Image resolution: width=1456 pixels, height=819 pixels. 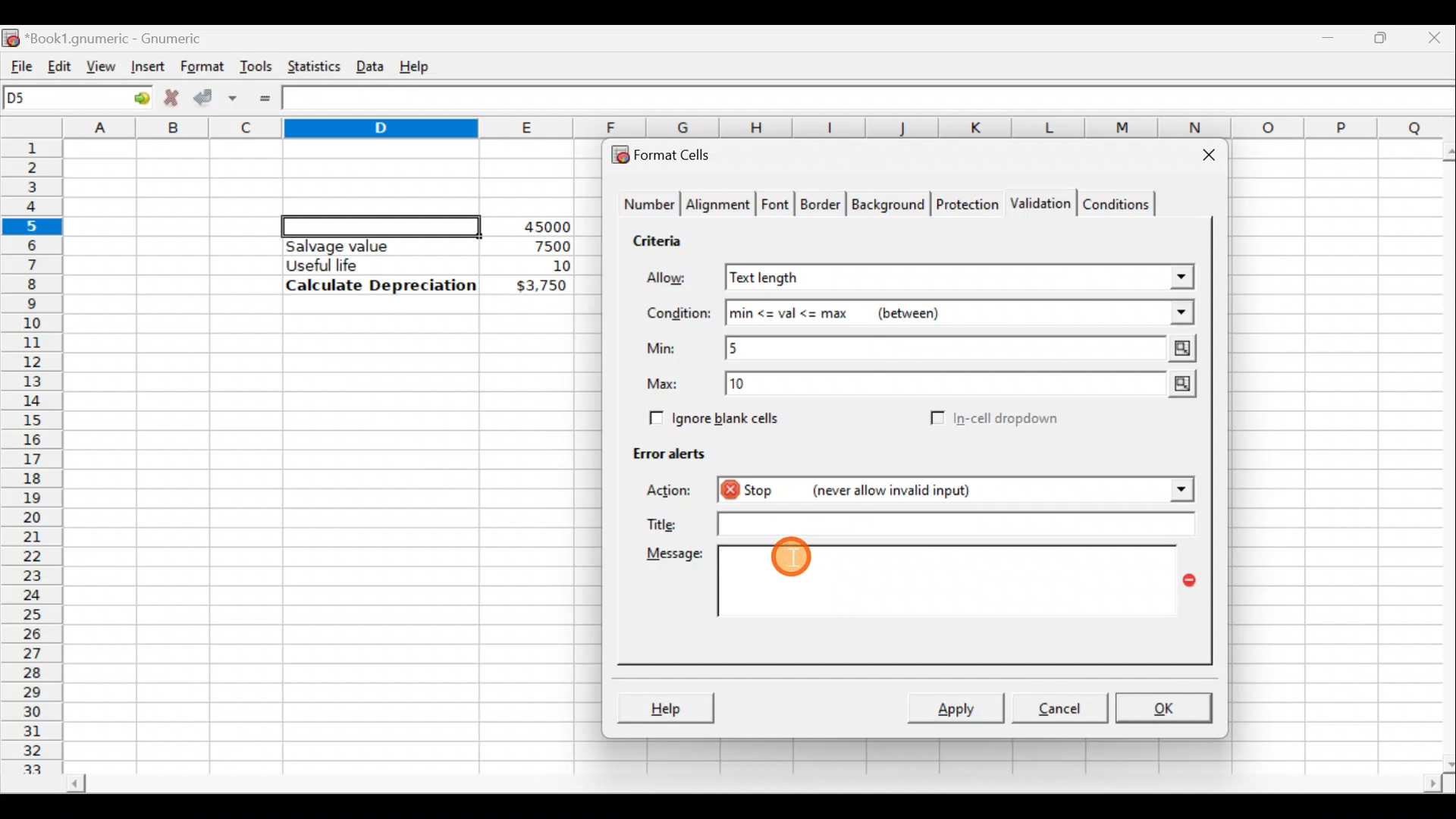 What do you see at coordinates (1162, 708) in the screenshot?
I see `OK` at bounding box center [1162, 708].